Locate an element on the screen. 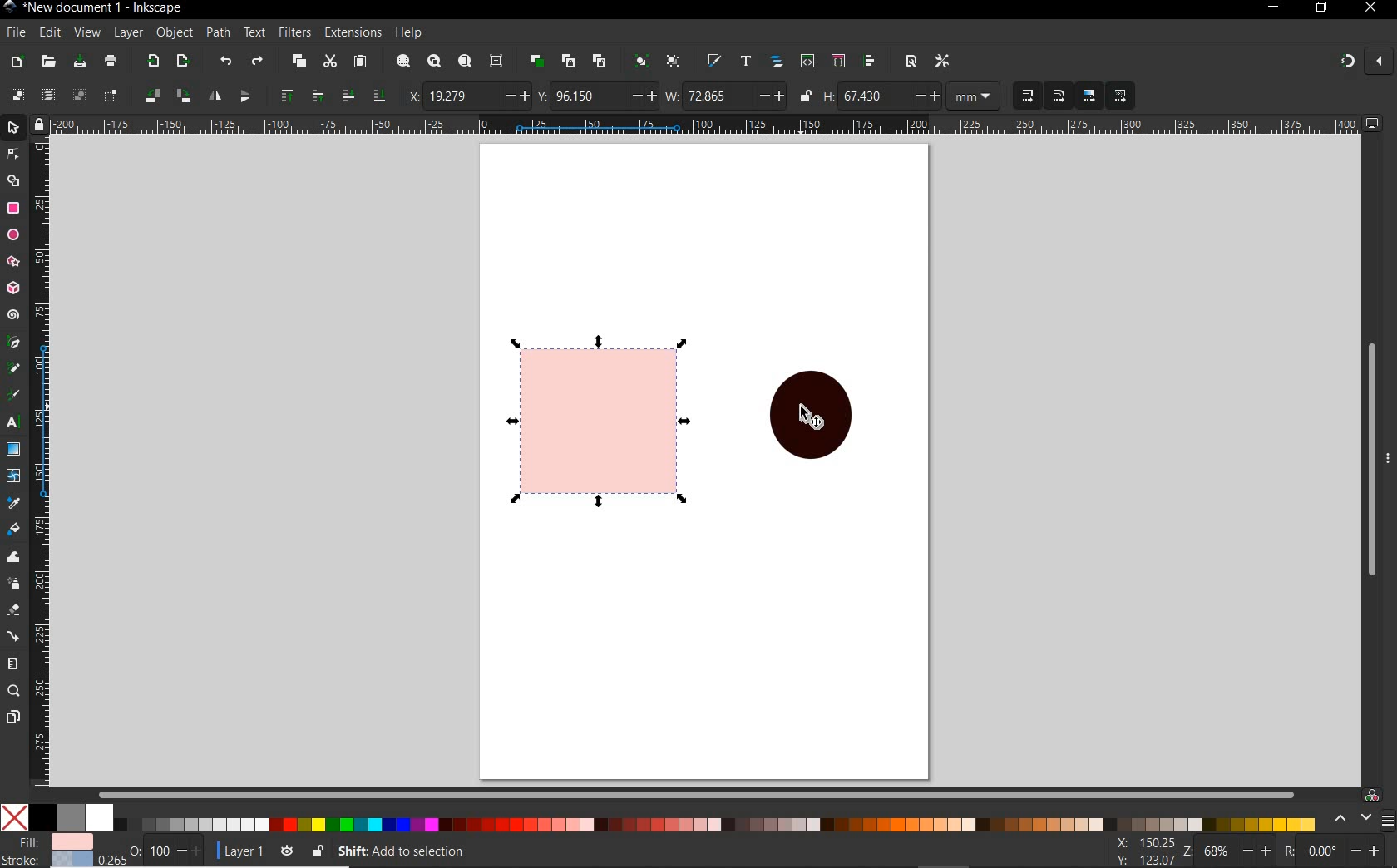 The image size is (1397, 868). open selector is located at coordinates (837, 61).